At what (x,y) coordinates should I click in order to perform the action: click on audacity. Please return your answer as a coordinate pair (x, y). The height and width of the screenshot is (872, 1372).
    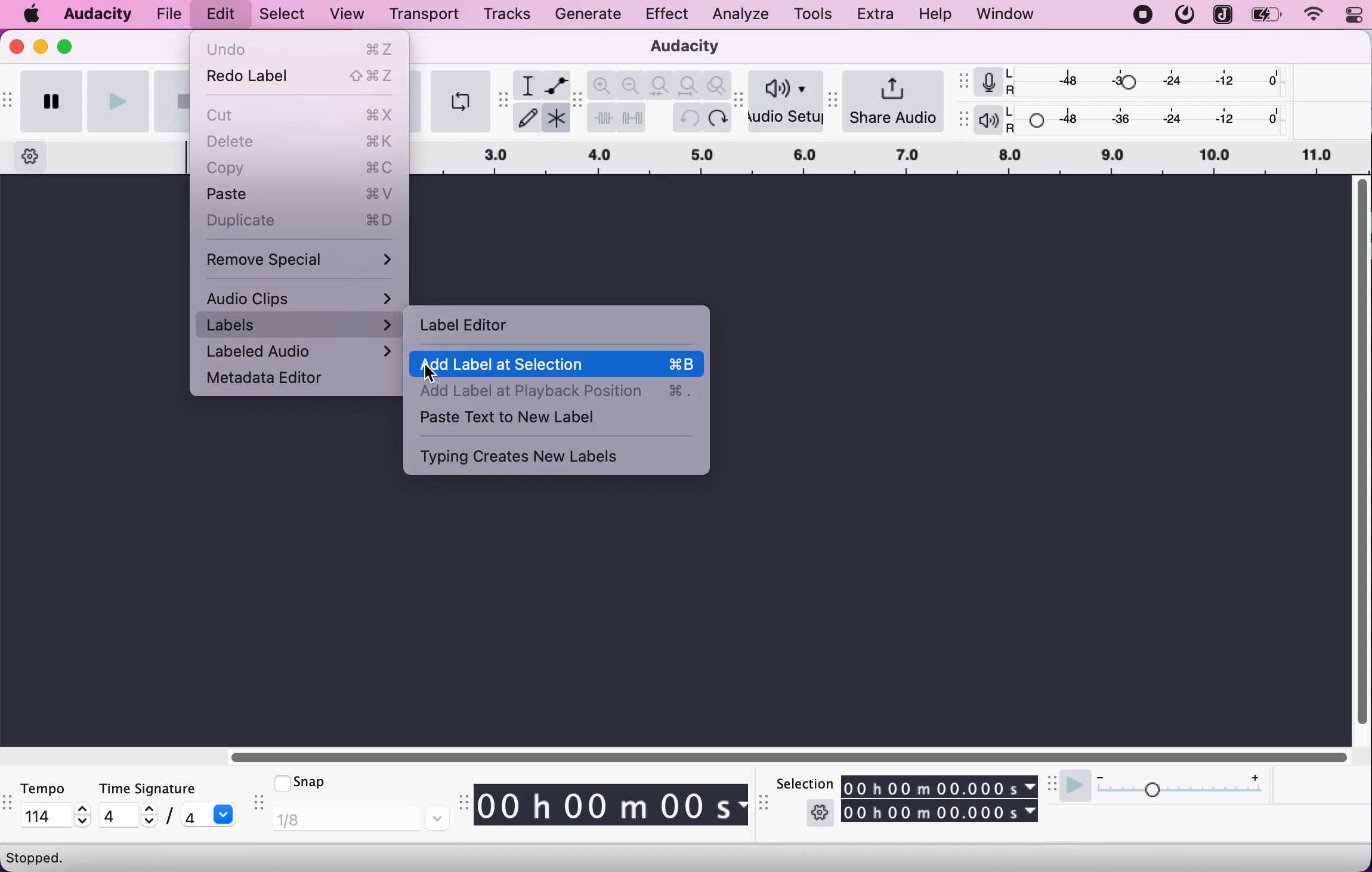
    Looking at the image, I should click on (679, 48).